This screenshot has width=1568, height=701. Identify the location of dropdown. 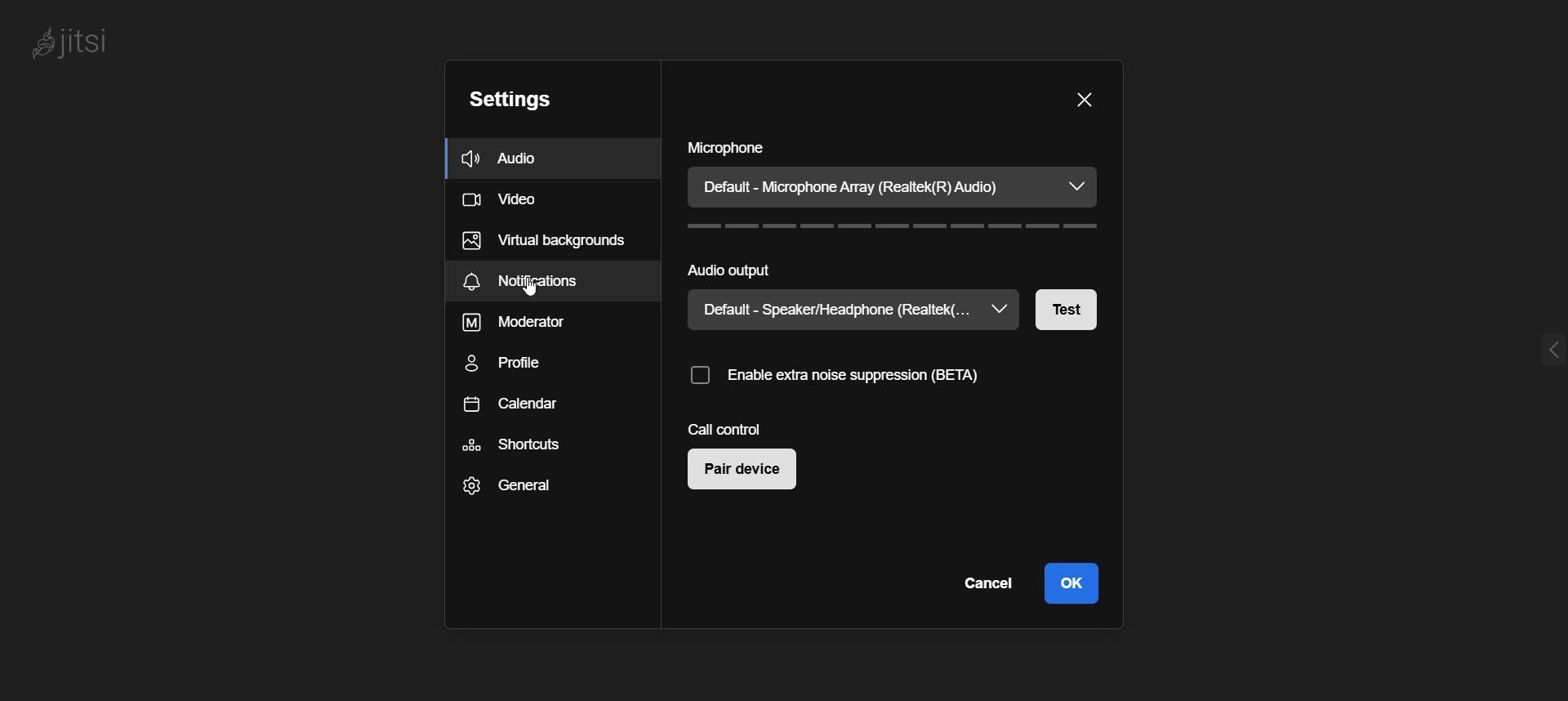
(1065, 187).